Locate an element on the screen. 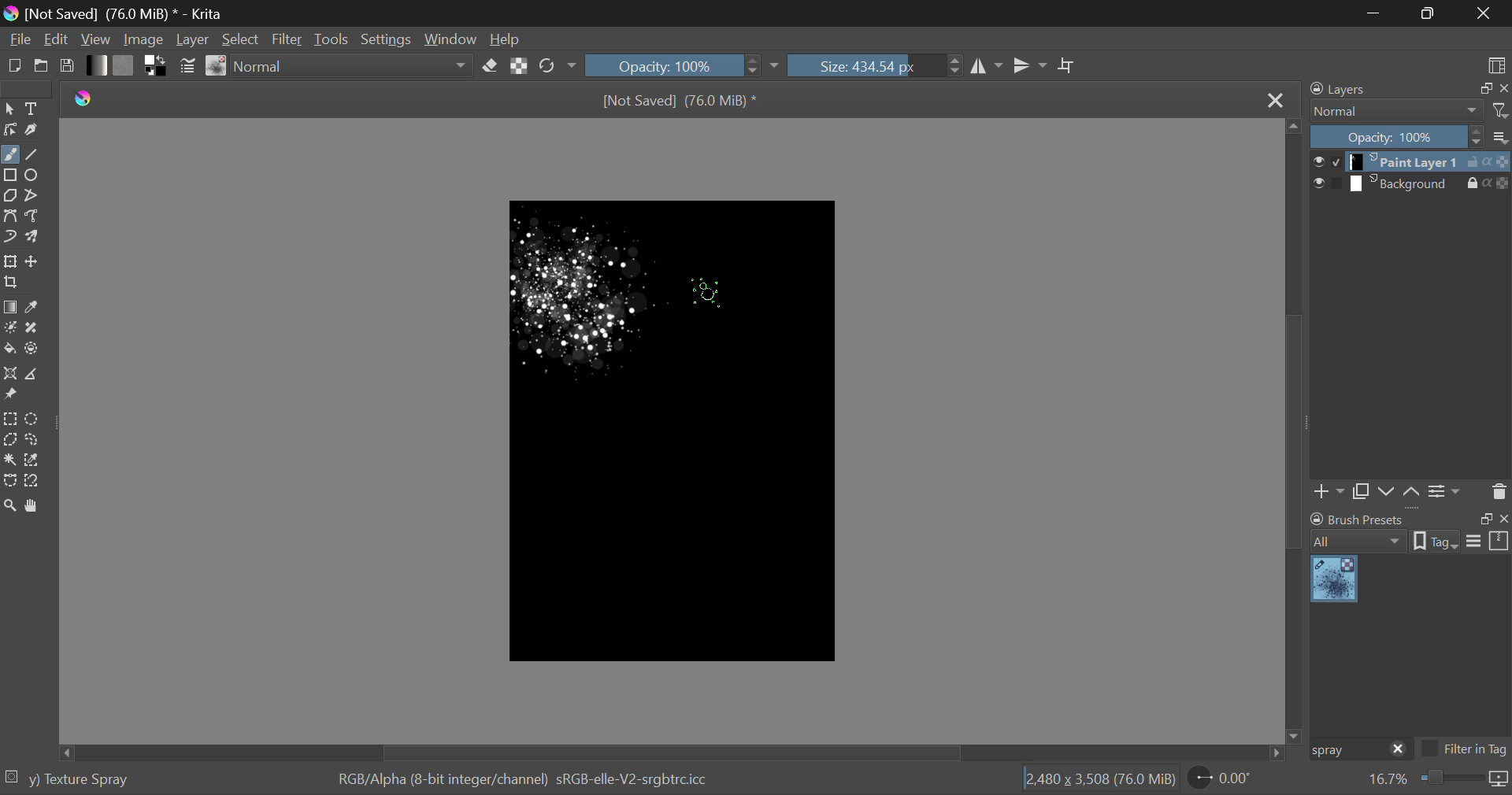  checkbox is located at coordinates (1327, 184).